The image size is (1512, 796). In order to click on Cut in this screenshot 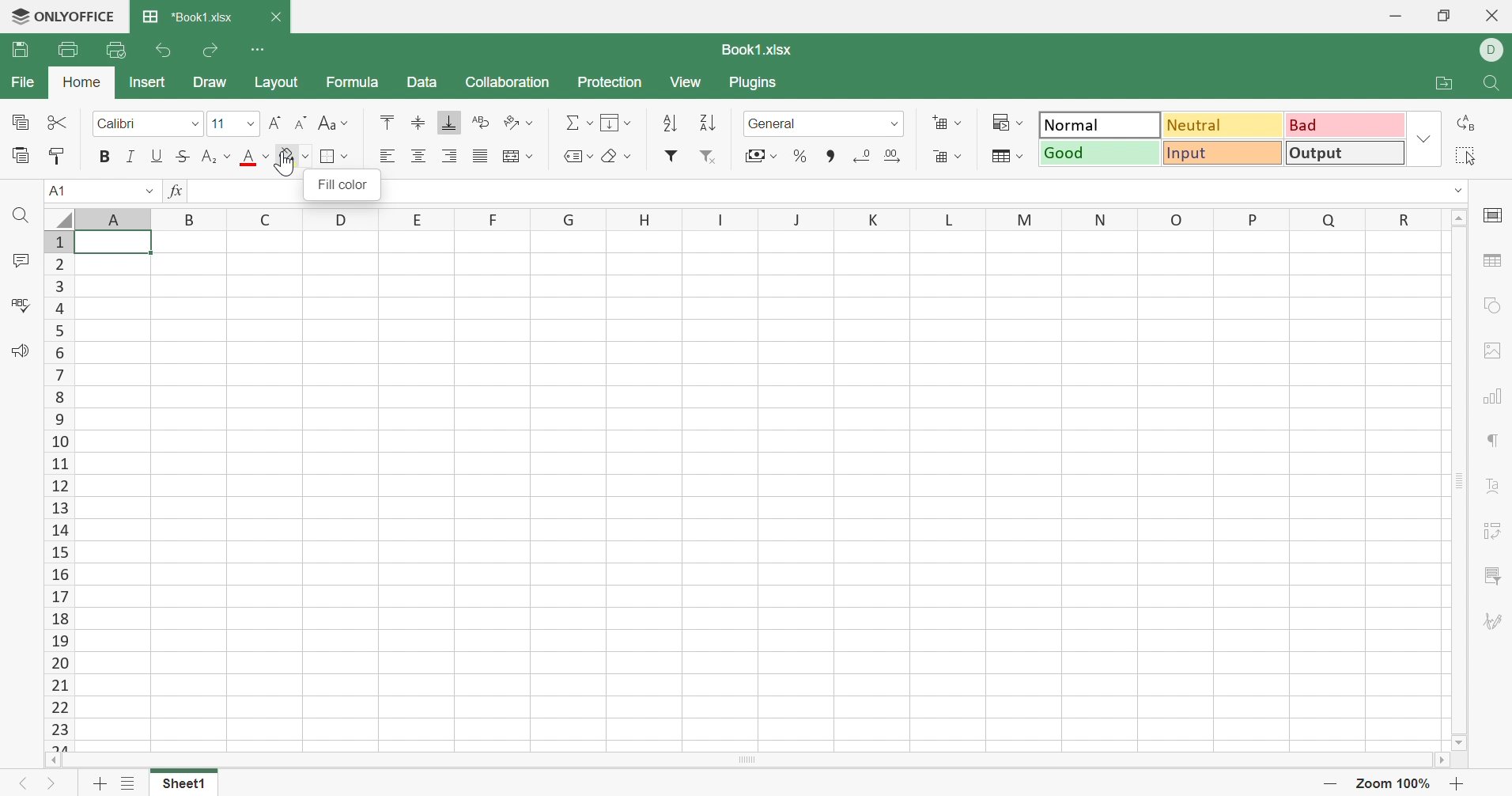, I will do `click(56, 118)`.